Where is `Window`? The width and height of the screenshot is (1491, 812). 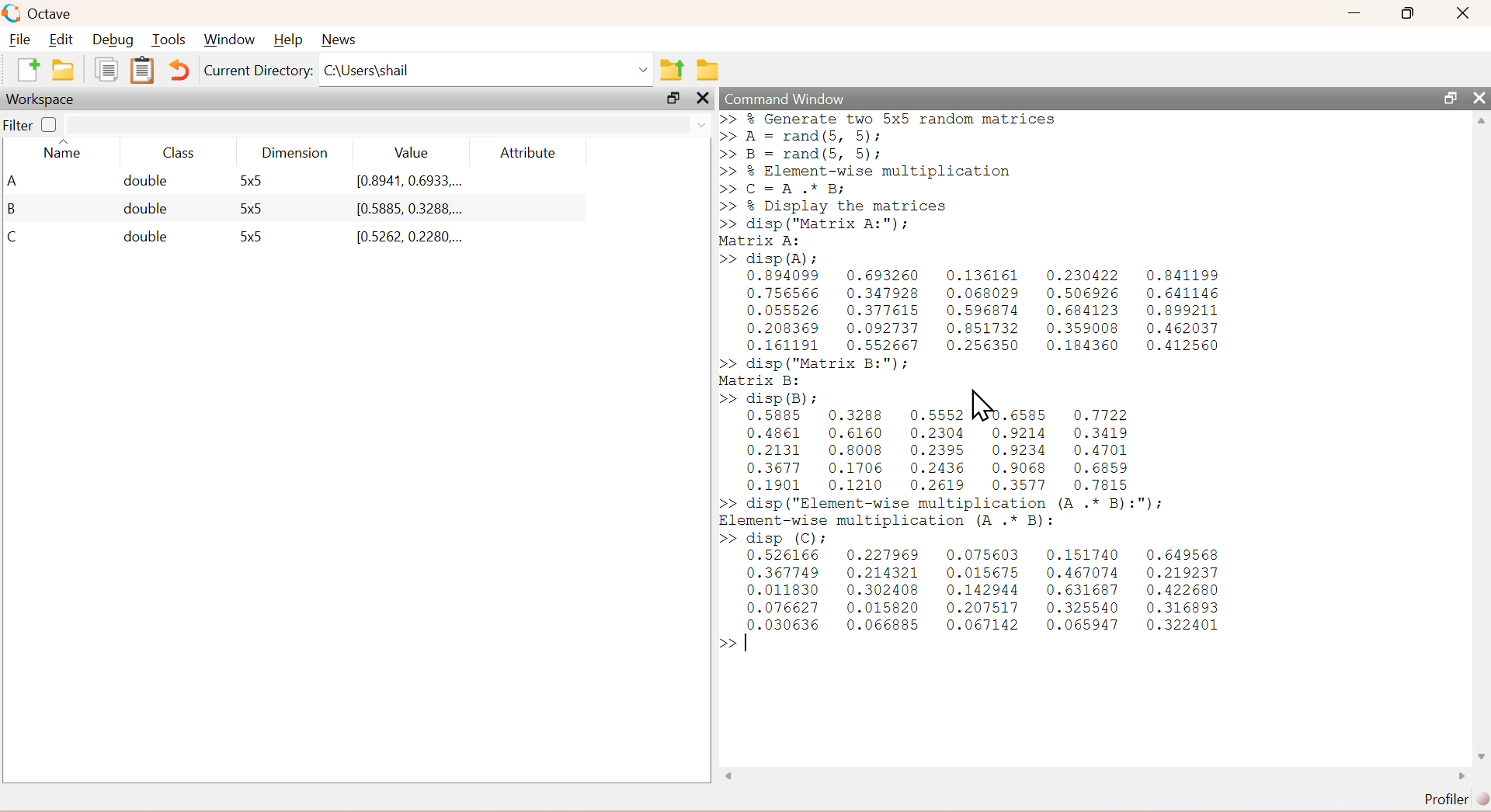 Window is located at coordinates (231, 37).